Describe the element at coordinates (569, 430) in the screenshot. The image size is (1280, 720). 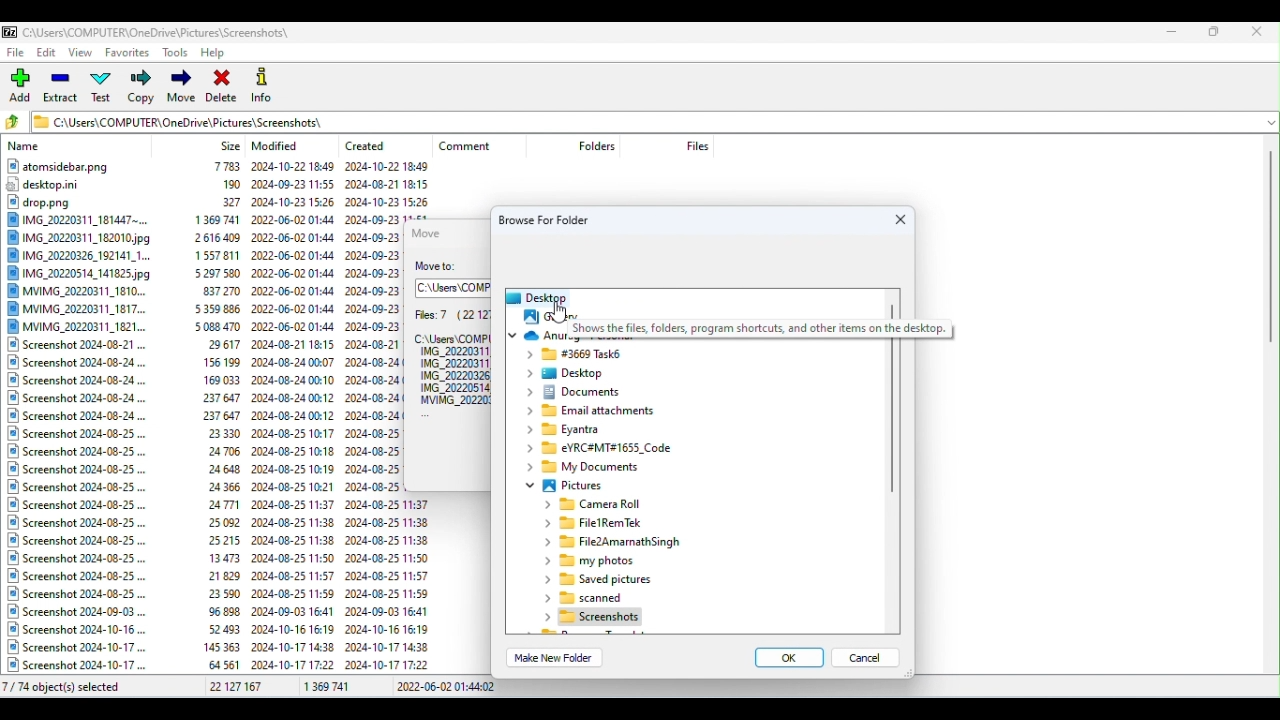
I see `Folder` at that location.